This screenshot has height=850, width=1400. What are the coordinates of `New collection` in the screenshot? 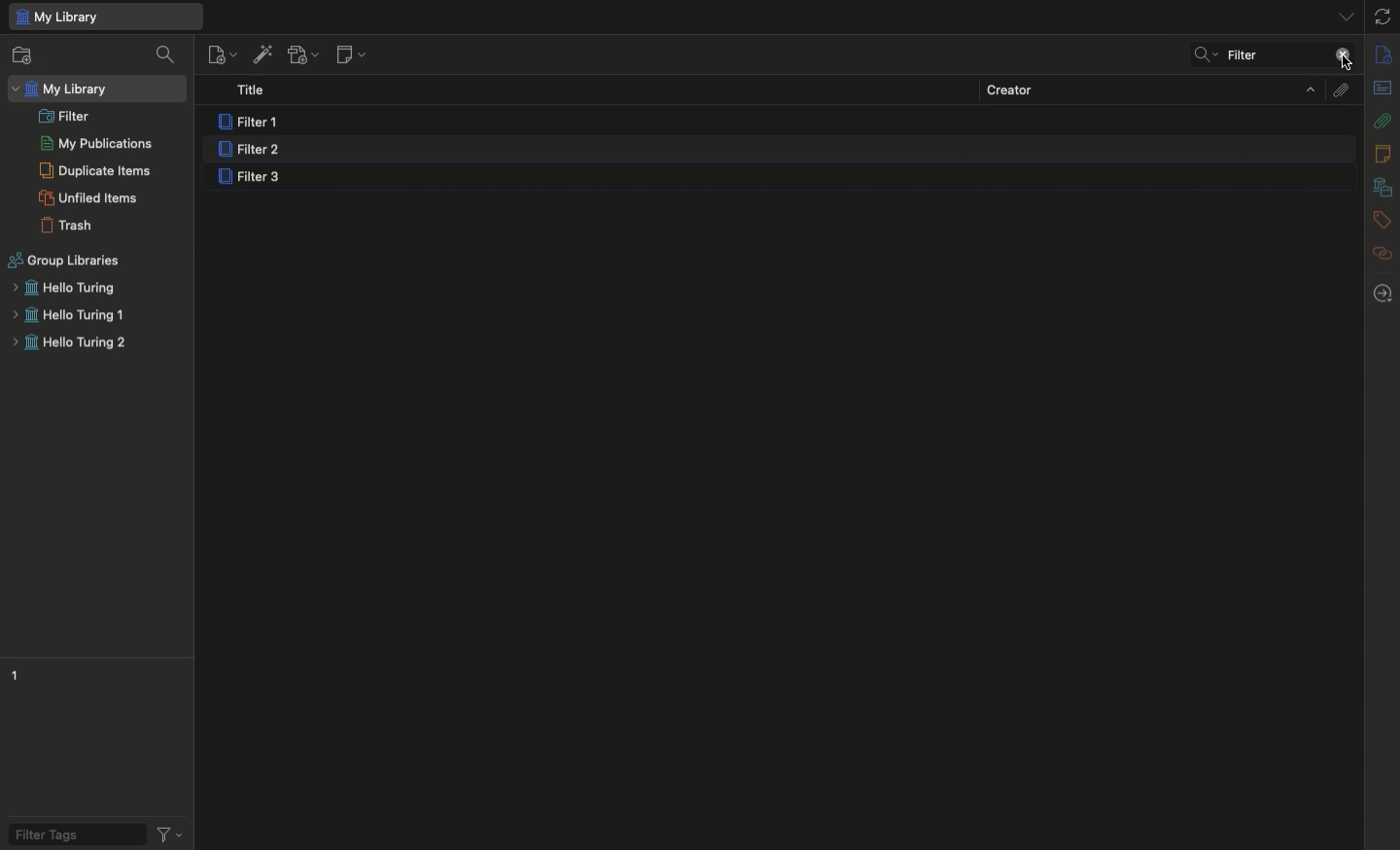 It's located at (22, 57).